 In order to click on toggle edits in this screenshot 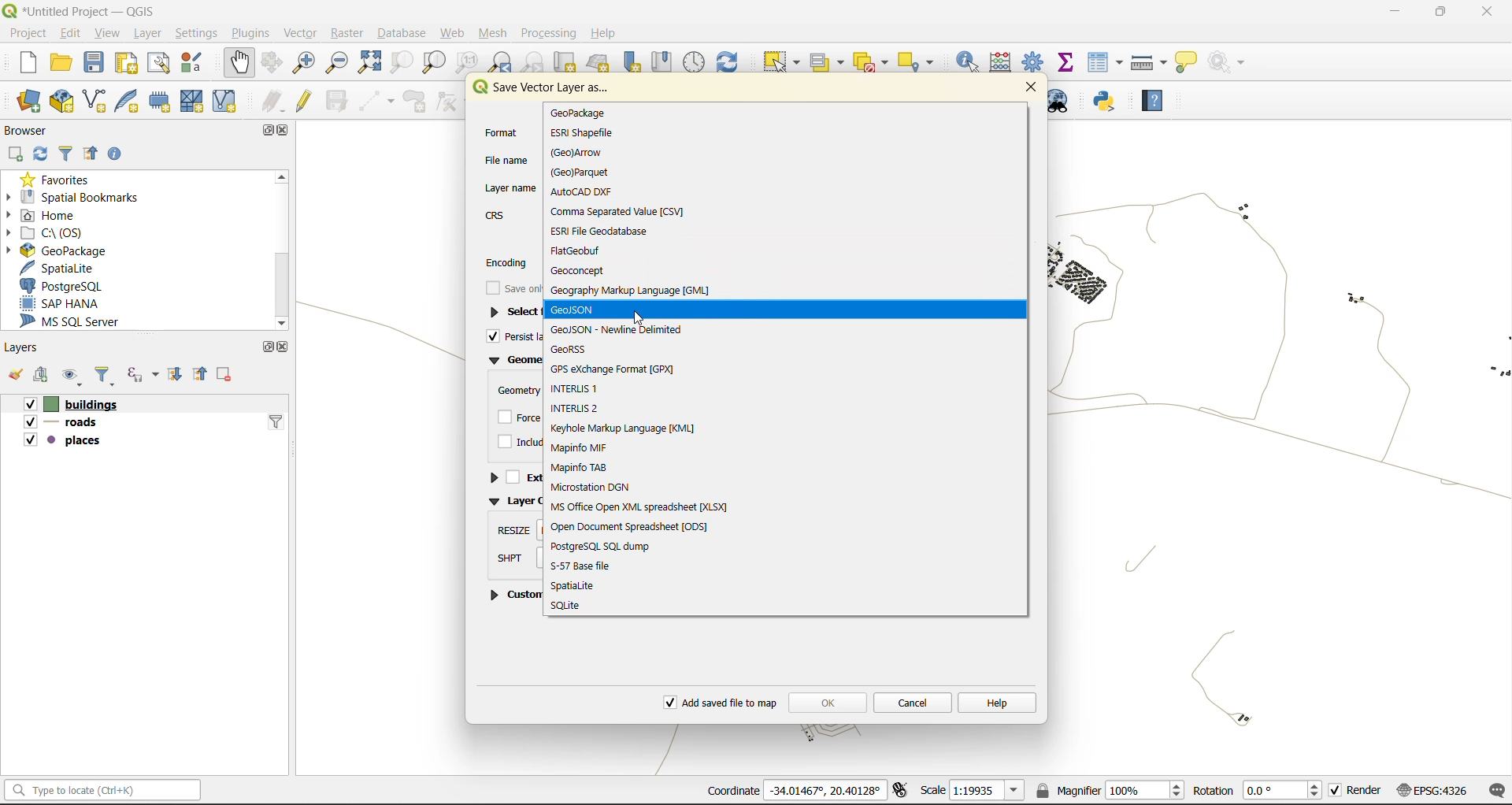, I will do `click(304, 99)`.